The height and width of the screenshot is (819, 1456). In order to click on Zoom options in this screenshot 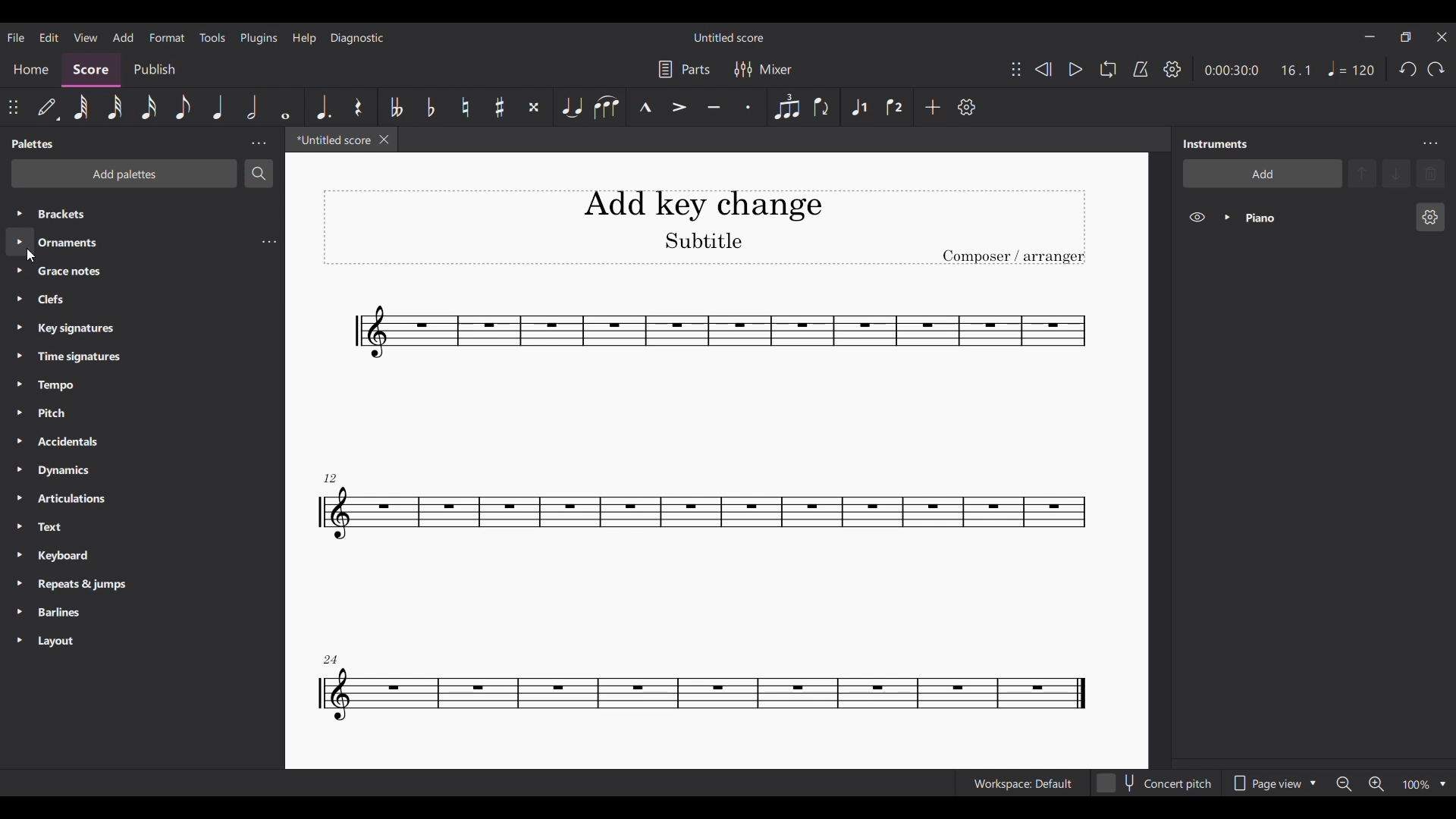, I will do `click(1443, 784)`.